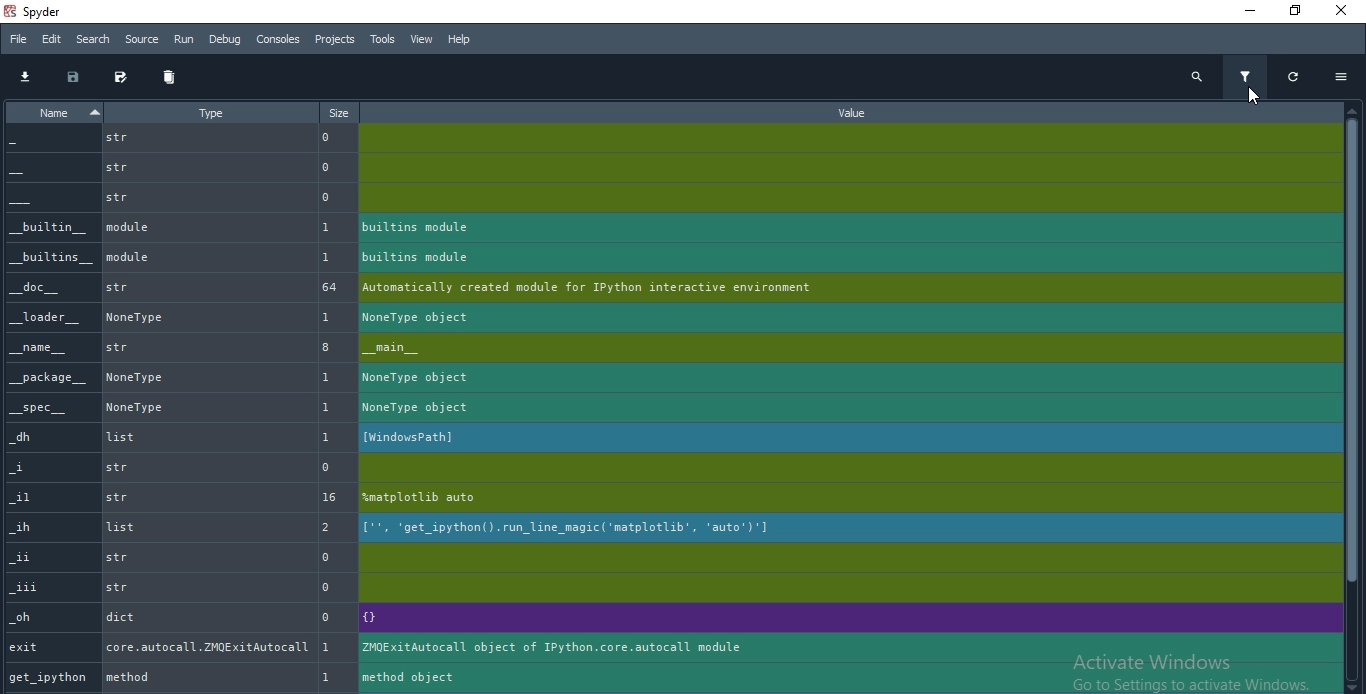 Image resolution: width=1366 pixels, height=694 pixels. I want to click on download, so click(28, 73).